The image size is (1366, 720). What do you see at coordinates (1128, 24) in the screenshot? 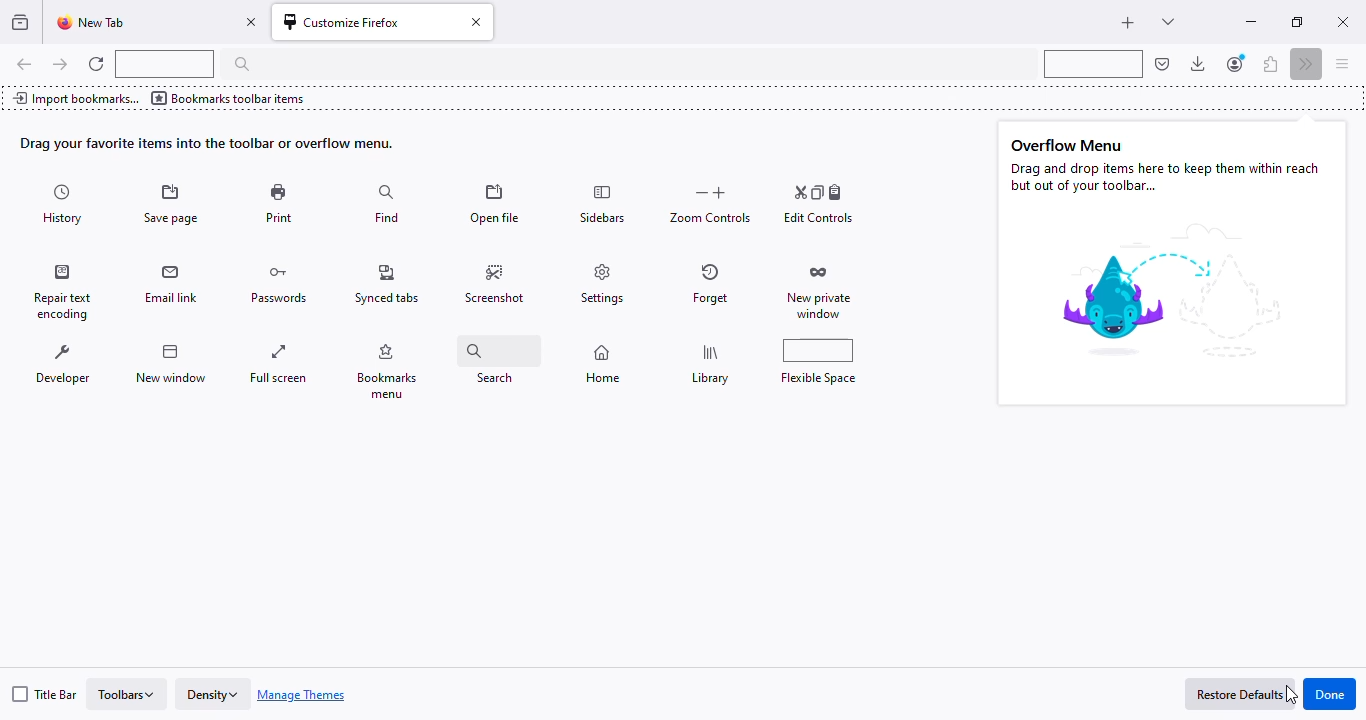
I see `new tab` at bounding box center [1128, 24].